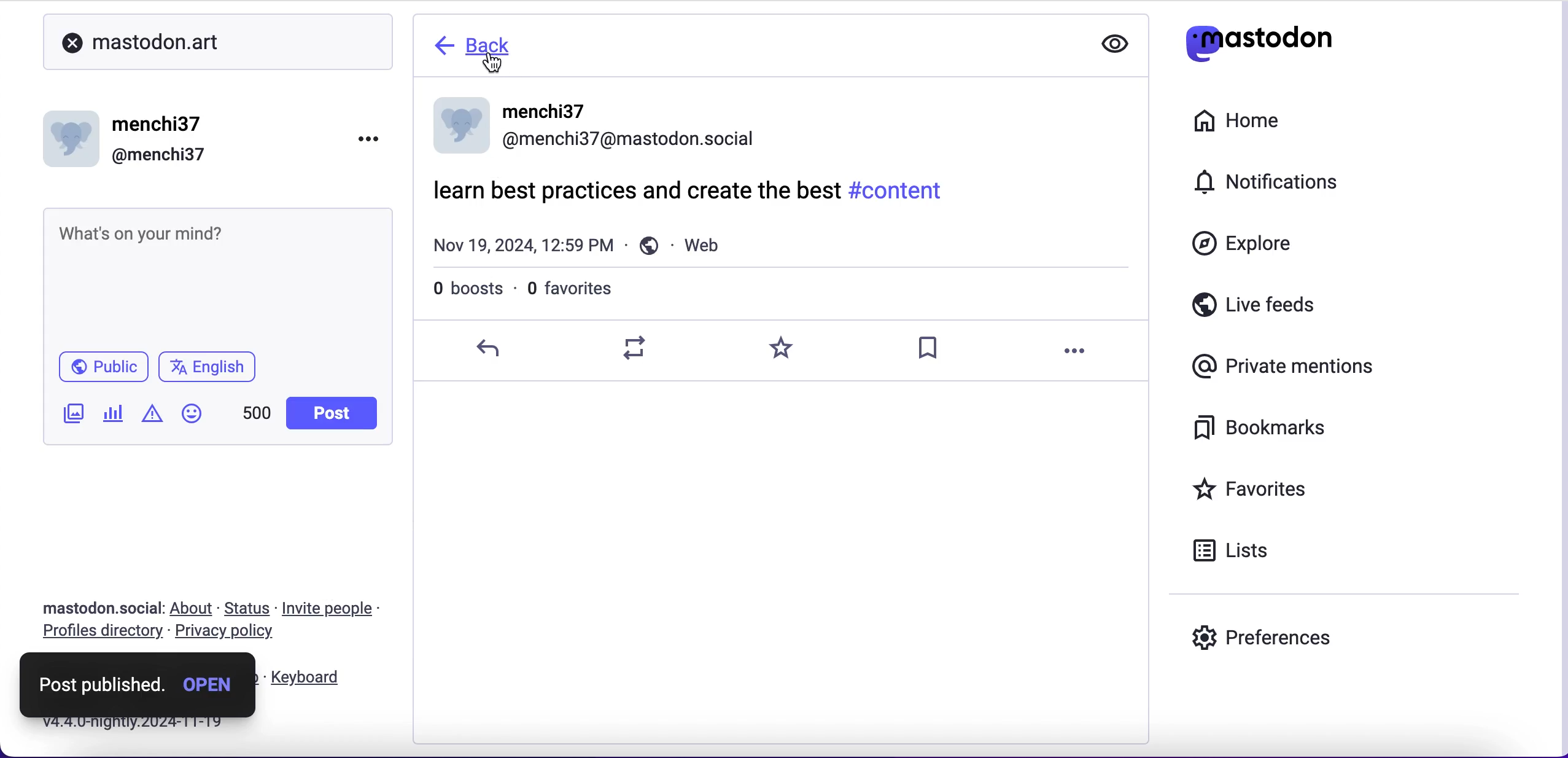  Describe the element at coordinates (1557, 147) in the screenshot. I see `scroll bar` at that location.